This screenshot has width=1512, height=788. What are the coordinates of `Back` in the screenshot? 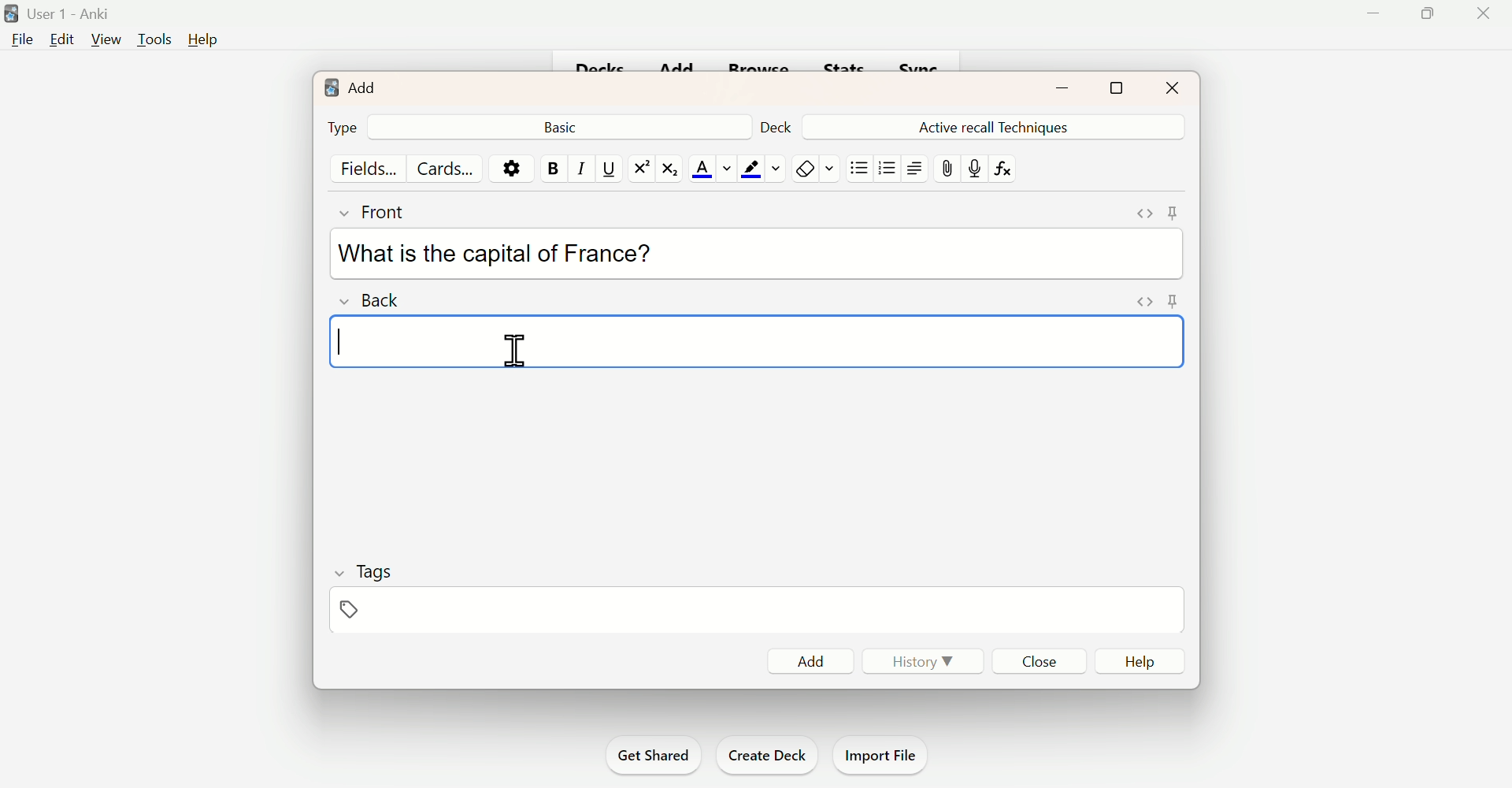 It's located at (373, 299).